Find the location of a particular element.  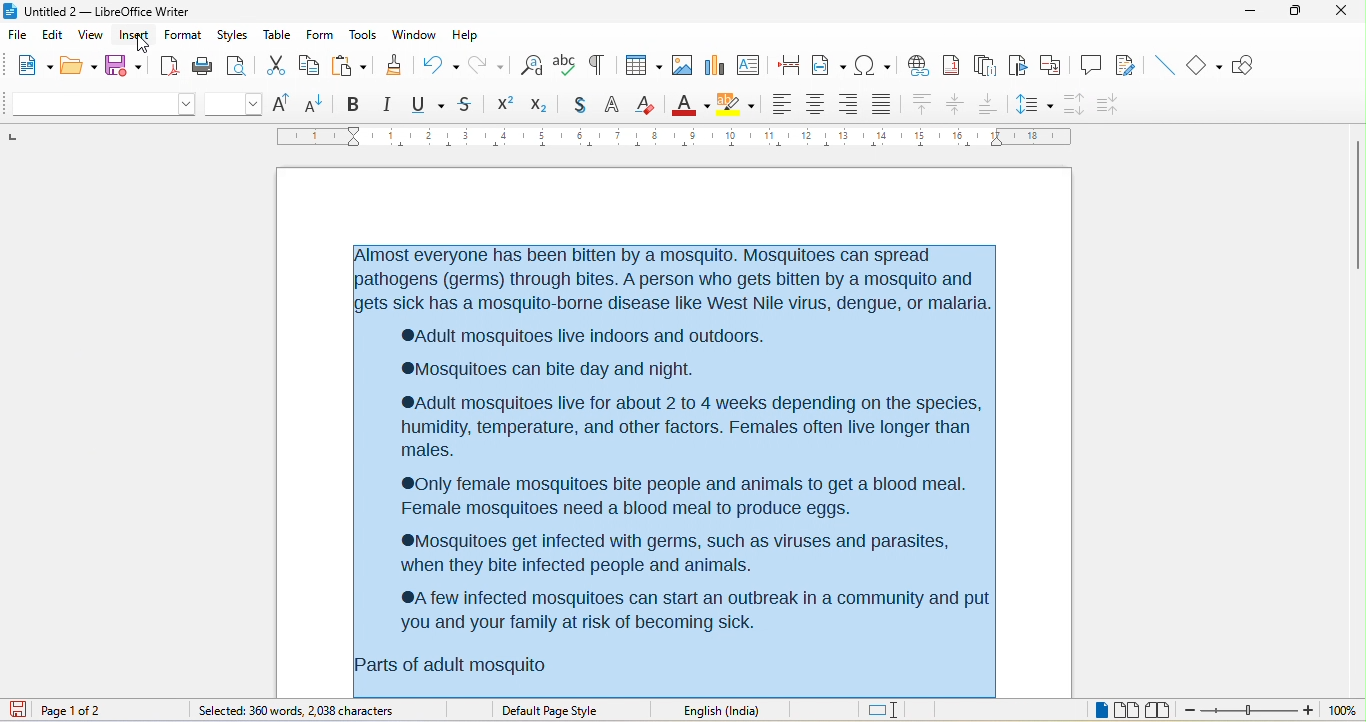

find and replace is located at coordinates (531, 67).